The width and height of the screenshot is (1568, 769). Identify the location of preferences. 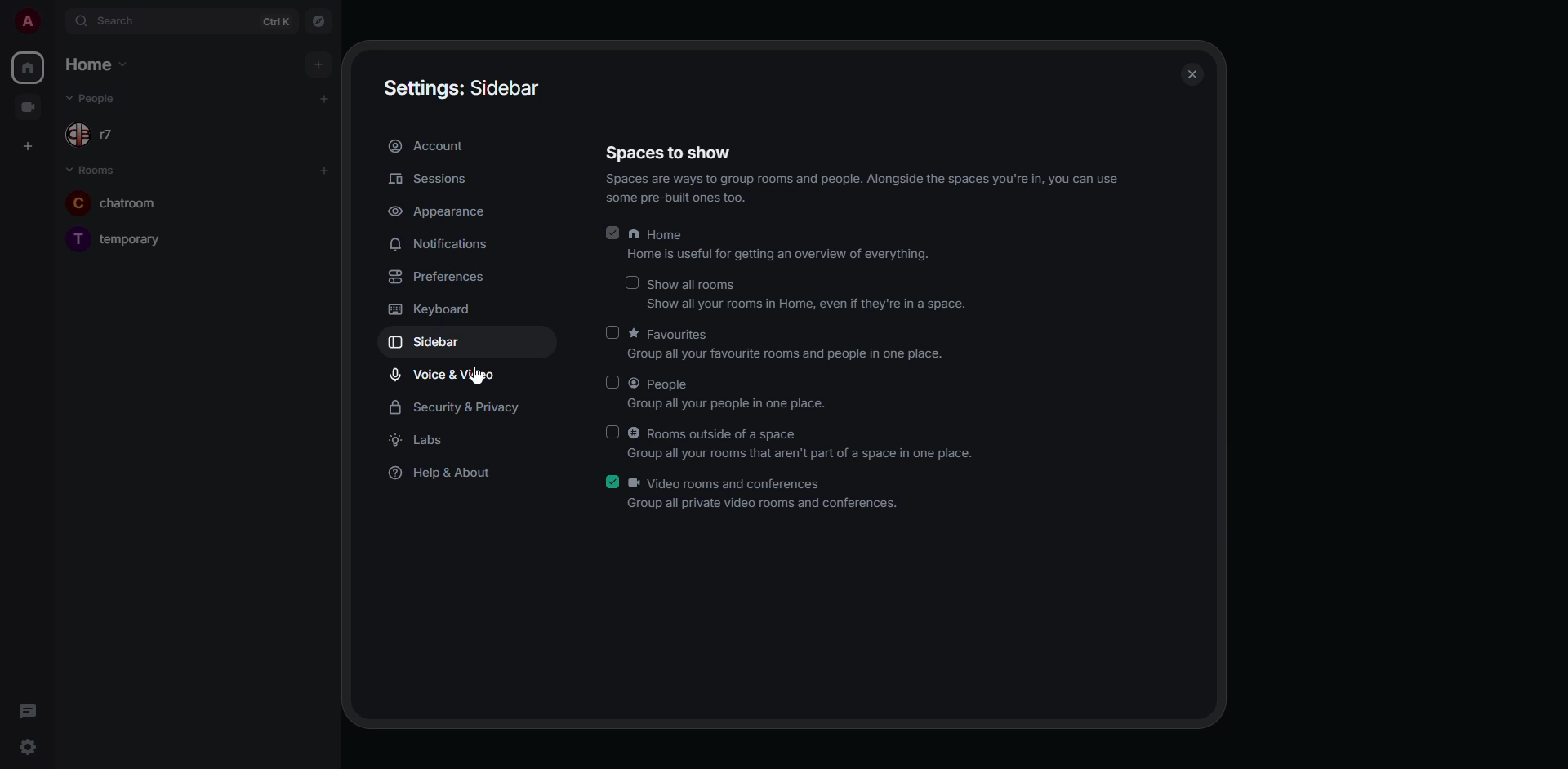
(436, 278).